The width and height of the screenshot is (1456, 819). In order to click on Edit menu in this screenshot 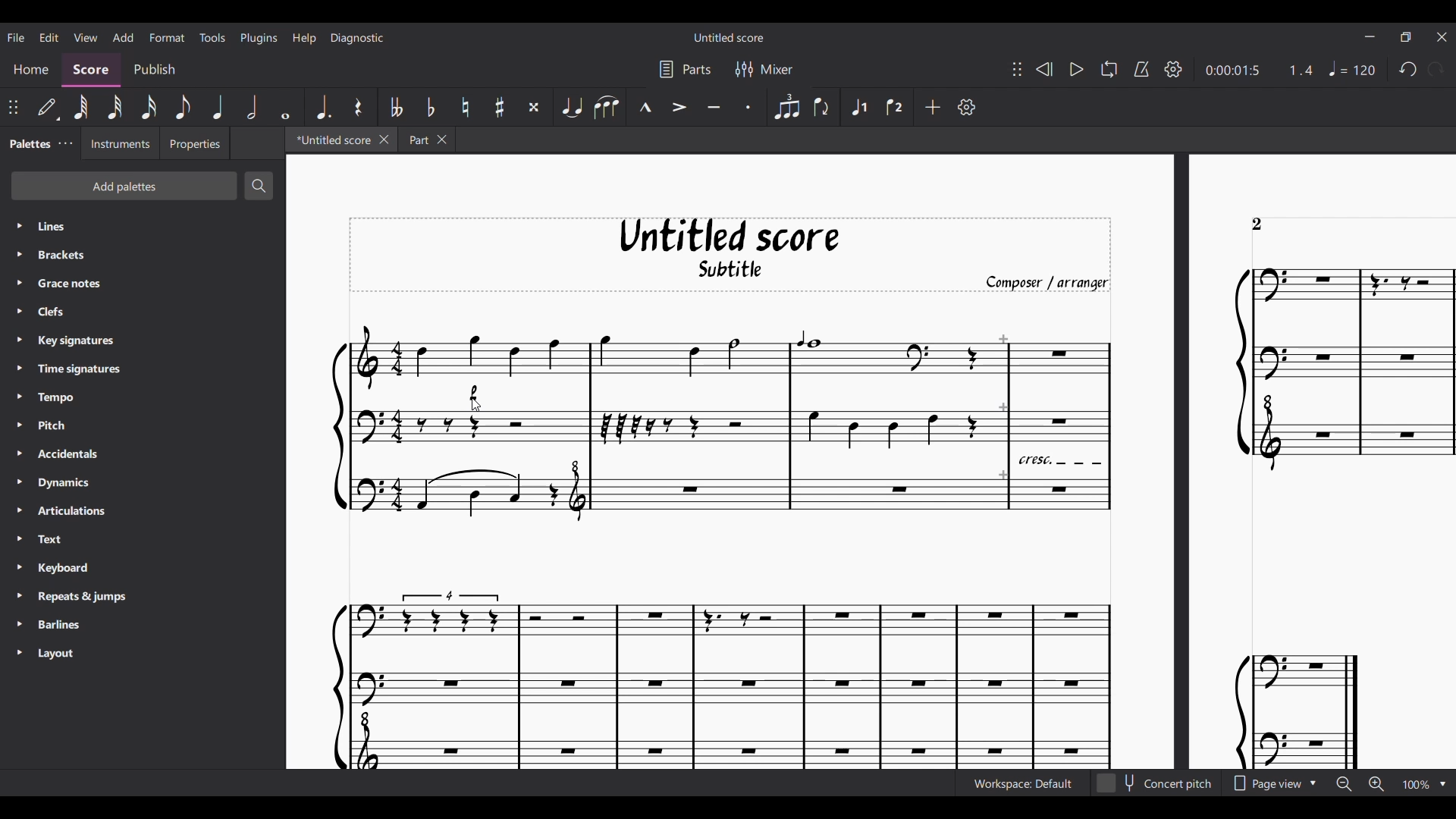, I will do `click(49, 36)`.